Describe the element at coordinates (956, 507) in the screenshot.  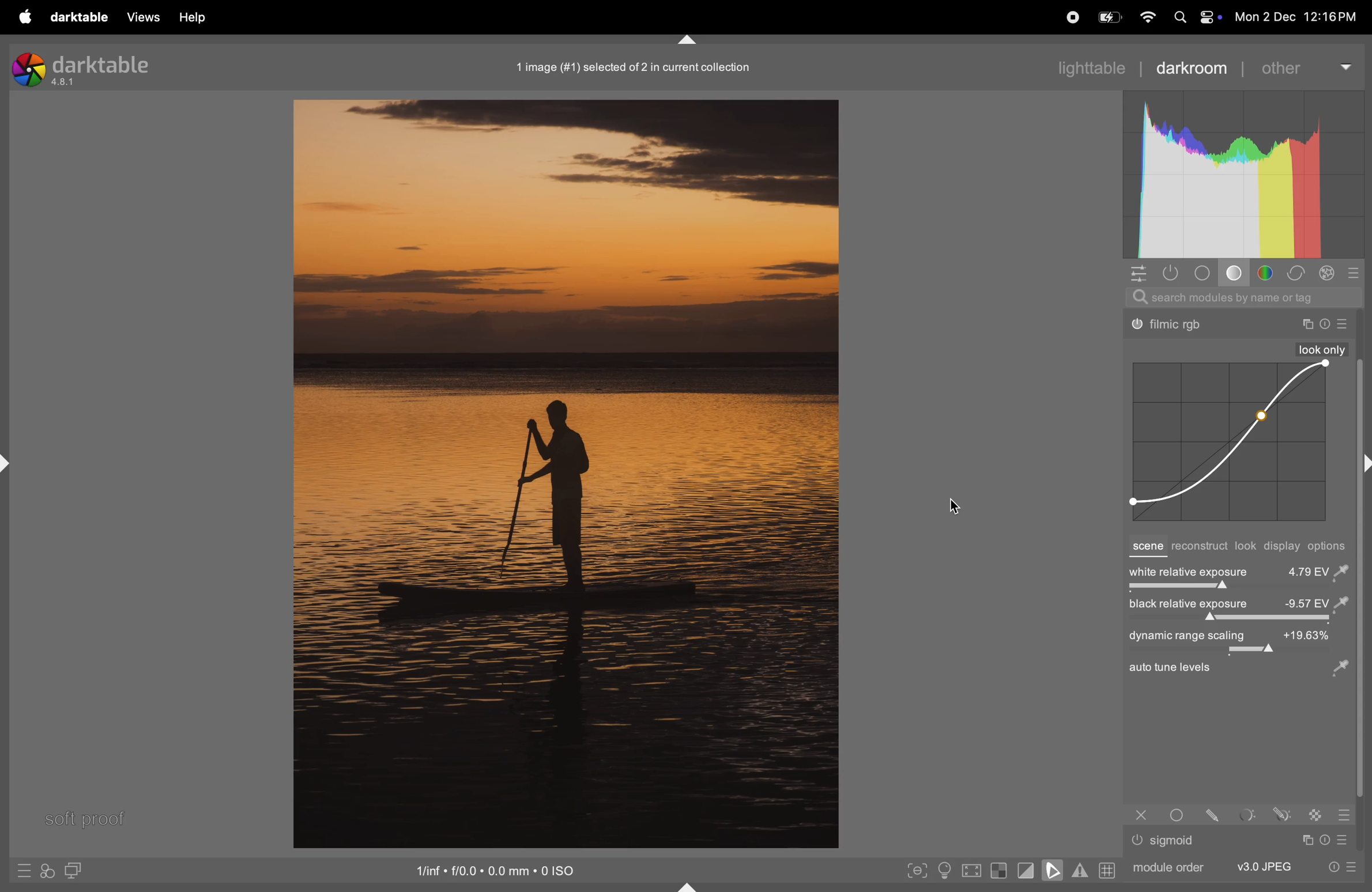
I see `cursor` at that location.